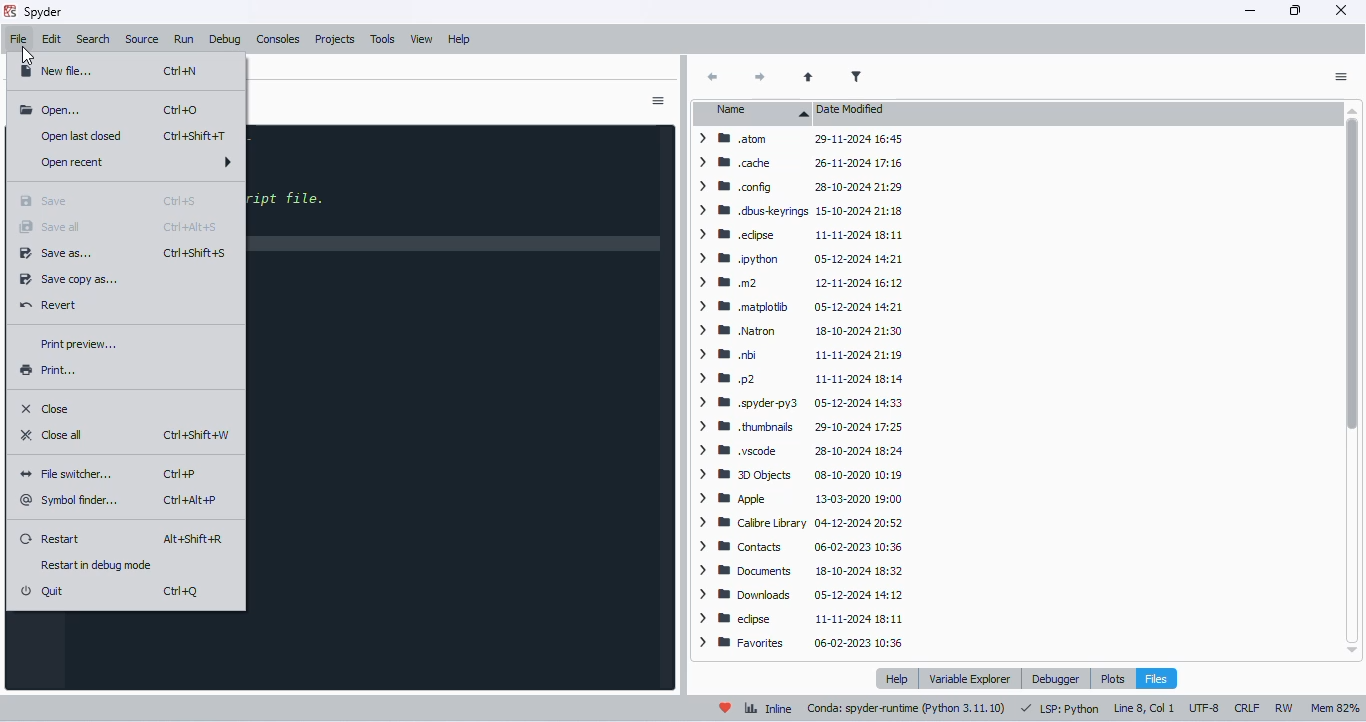 The height and width of the screenshot is (722, 1366). Describe the element at coordinates (135, 163) in the screenshot. I see `open recent` at that location.